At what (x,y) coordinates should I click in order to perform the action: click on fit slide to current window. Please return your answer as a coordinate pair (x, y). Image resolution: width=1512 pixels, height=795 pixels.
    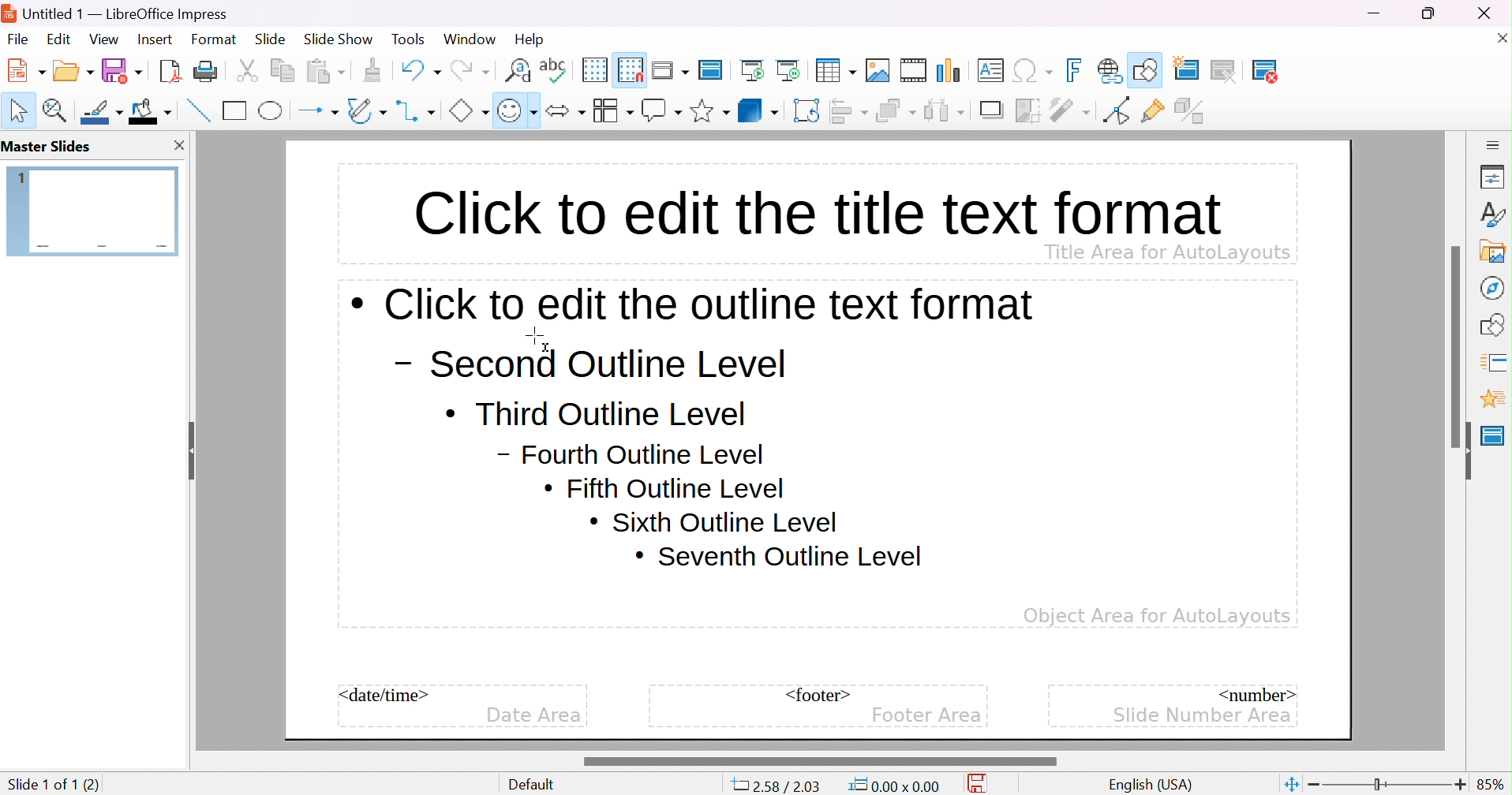
    Looking at the image, I should click on (1290, 783).